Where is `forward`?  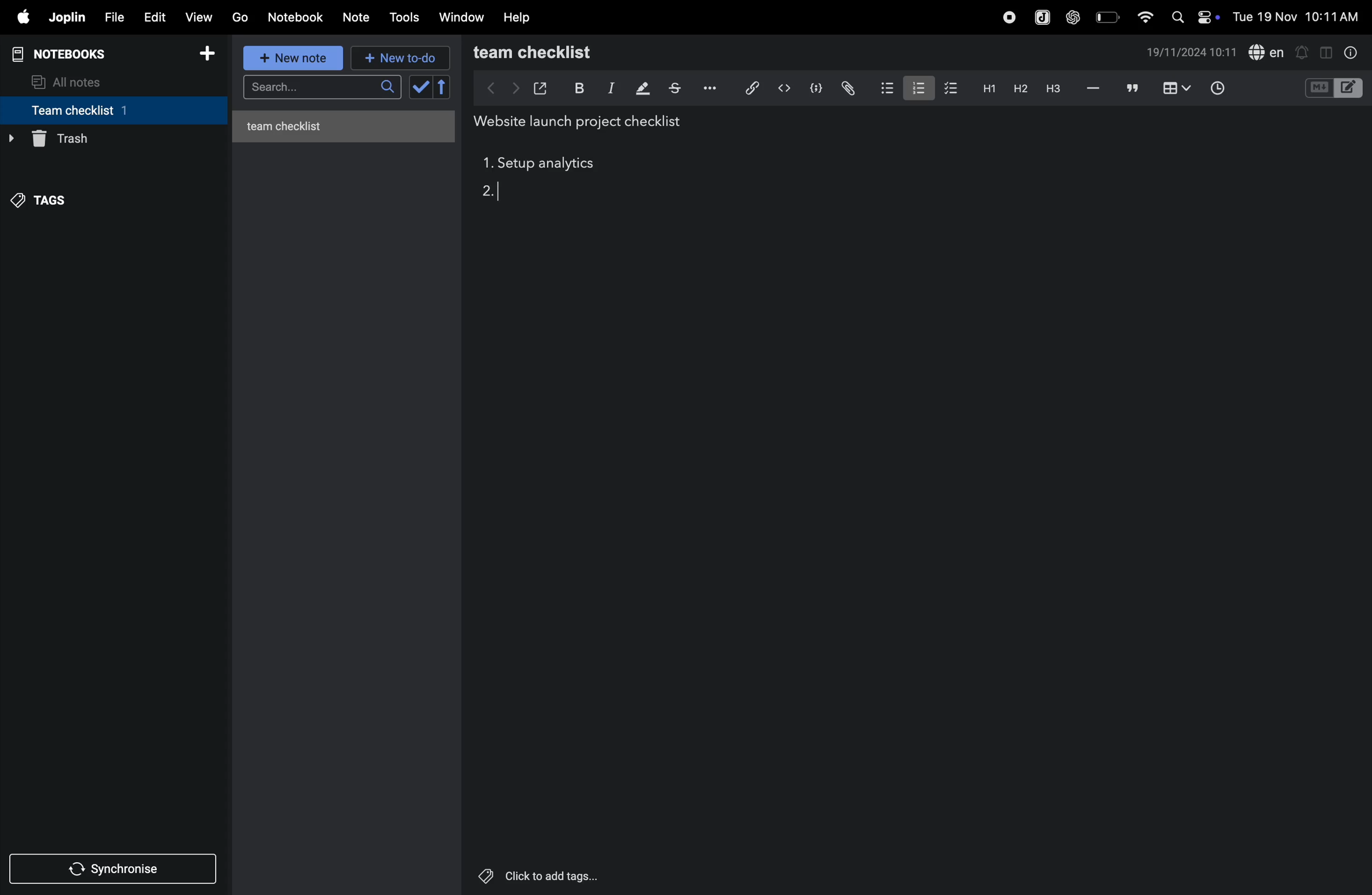
forward is located at coordinates (512, 88).